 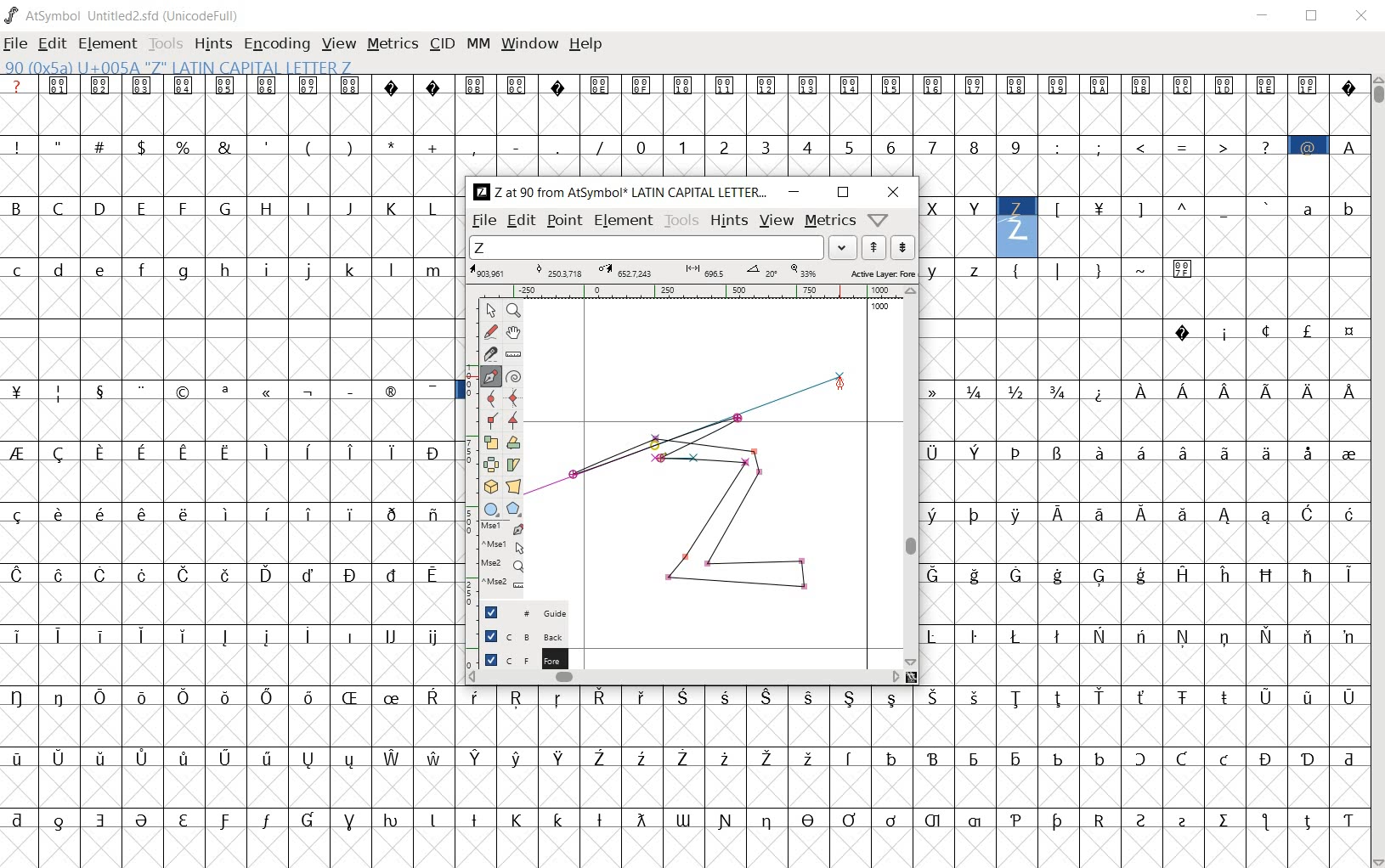 I want to click on Background, so click(x=517, y=635).